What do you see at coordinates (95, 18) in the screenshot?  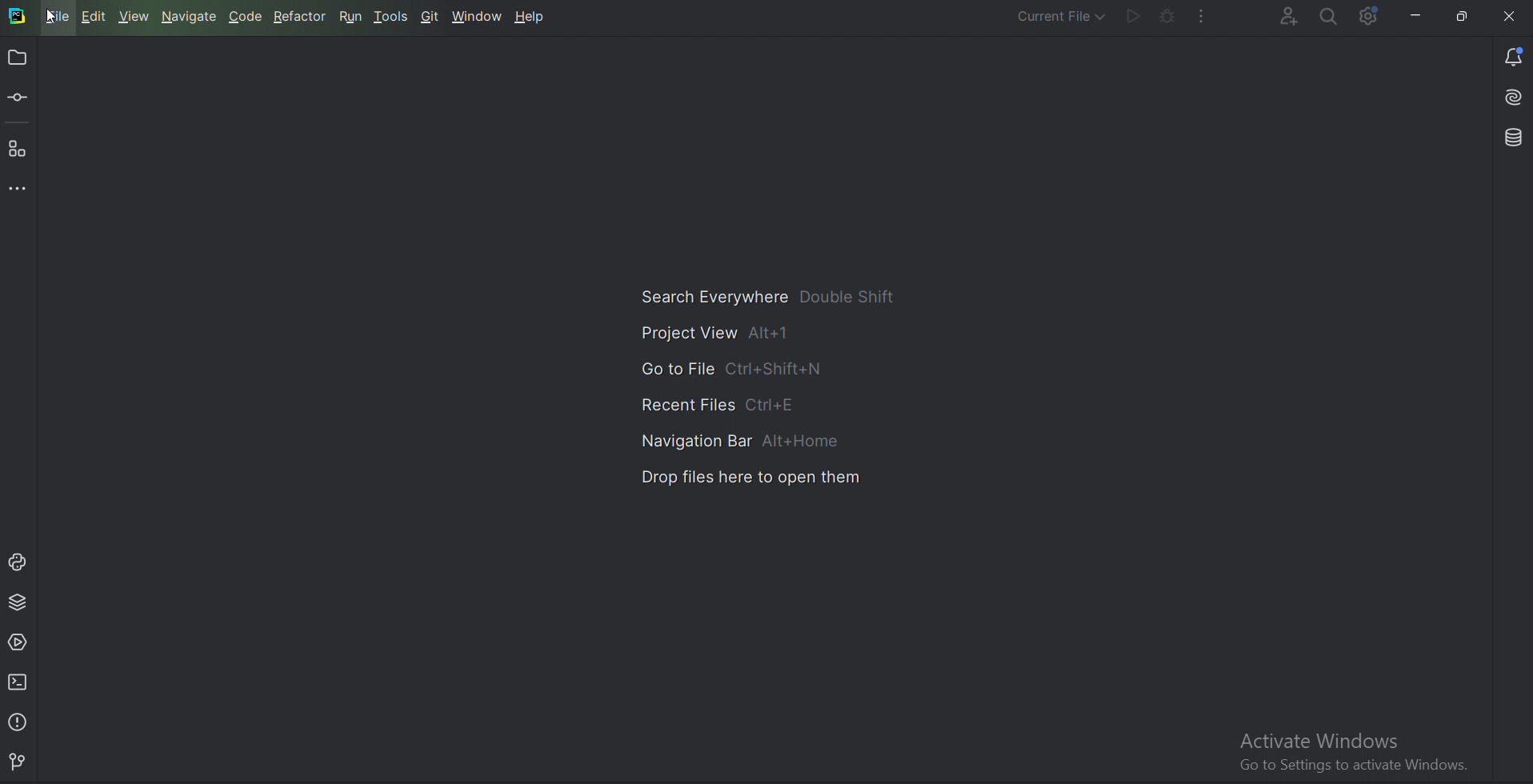 I see `Edit` at bounding box center [95, 18].